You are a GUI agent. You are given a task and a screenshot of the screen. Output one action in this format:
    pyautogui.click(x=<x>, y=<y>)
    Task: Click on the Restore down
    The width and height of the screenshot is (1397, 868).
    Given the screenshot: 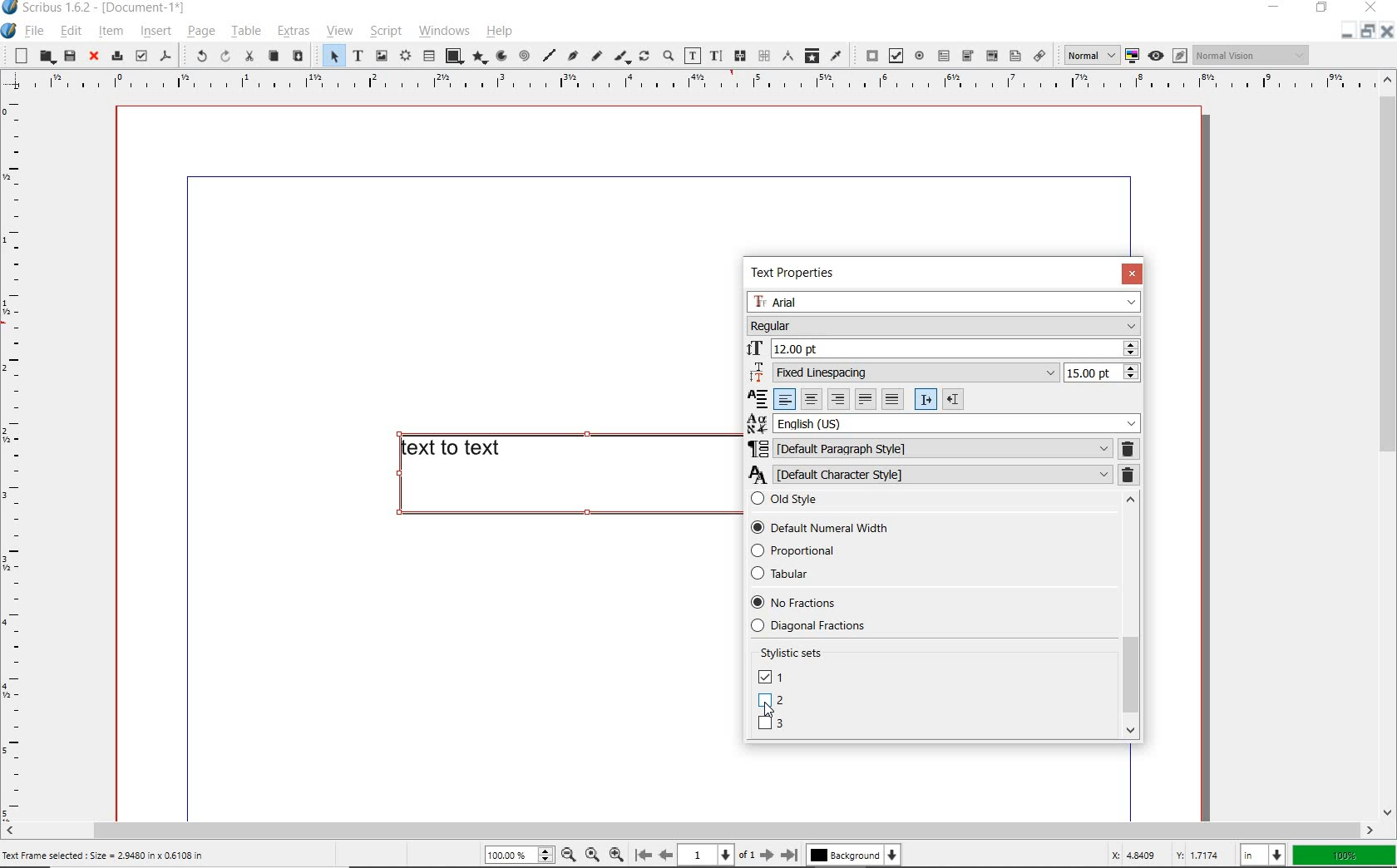 What is the action you would take?
    pyautogui.click(x=1345, y=32)
    